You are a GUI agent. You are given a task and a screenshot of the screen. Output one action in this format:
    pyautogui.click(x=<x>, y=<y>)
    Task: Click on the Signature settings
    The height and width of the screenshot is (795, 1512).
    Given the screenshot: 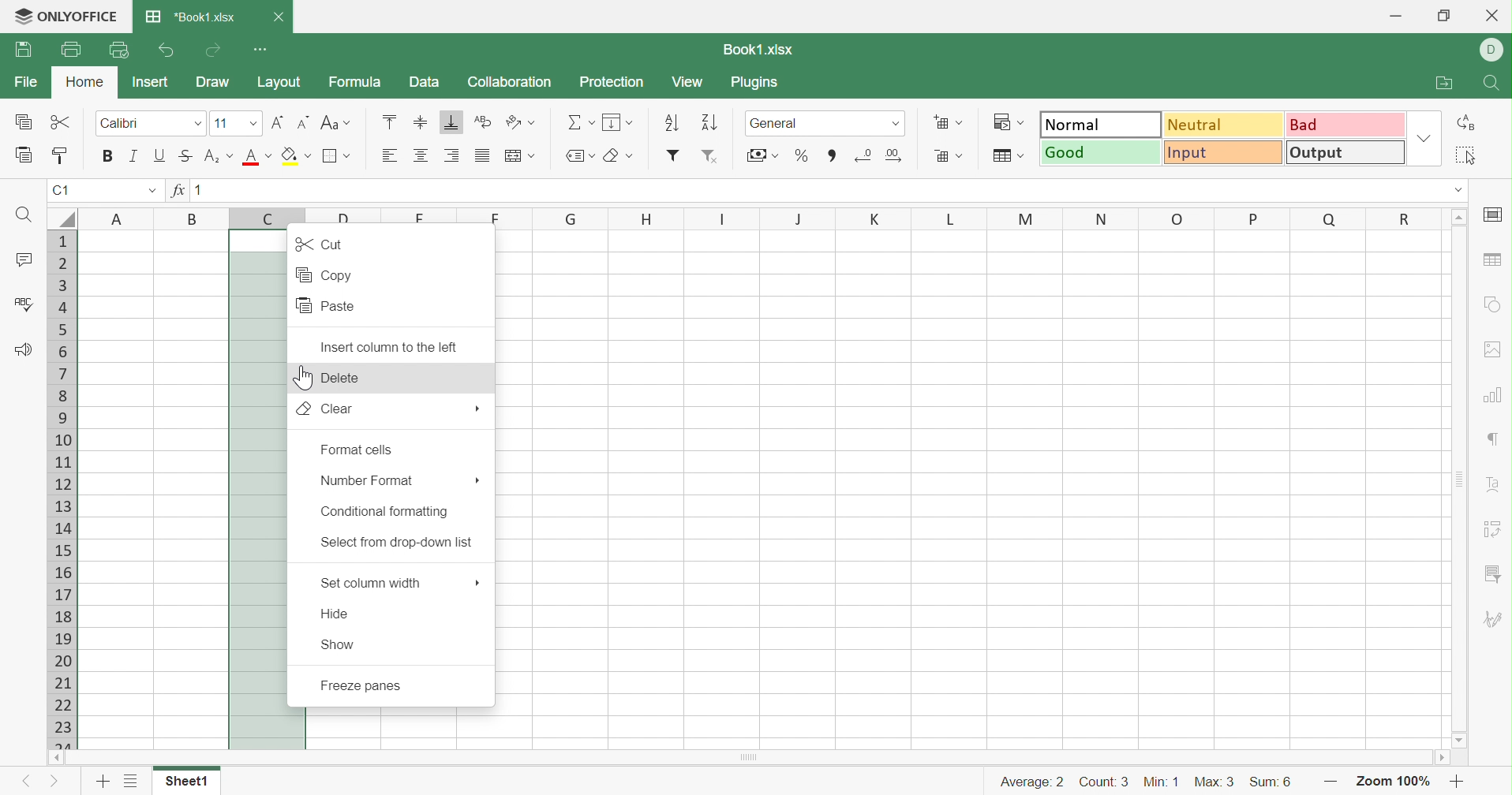 What is the action you would take?
    pyautogui.click(x=1494, y=621)
    